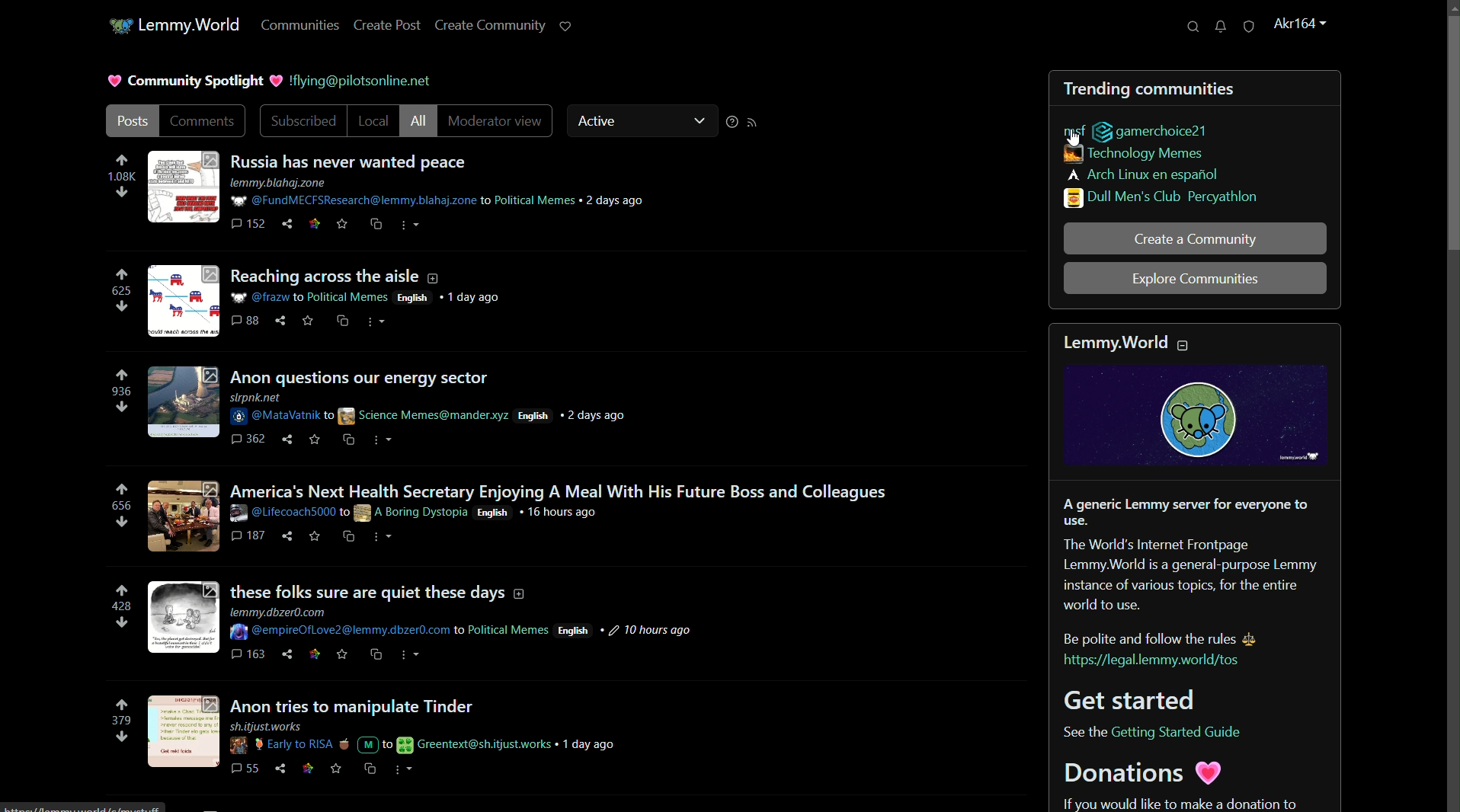 Image resolution: width=1460 pixels, height=812 pixels. Describe the element at coordinates (754, 124) in the screenshot. I see `rss` at that location.